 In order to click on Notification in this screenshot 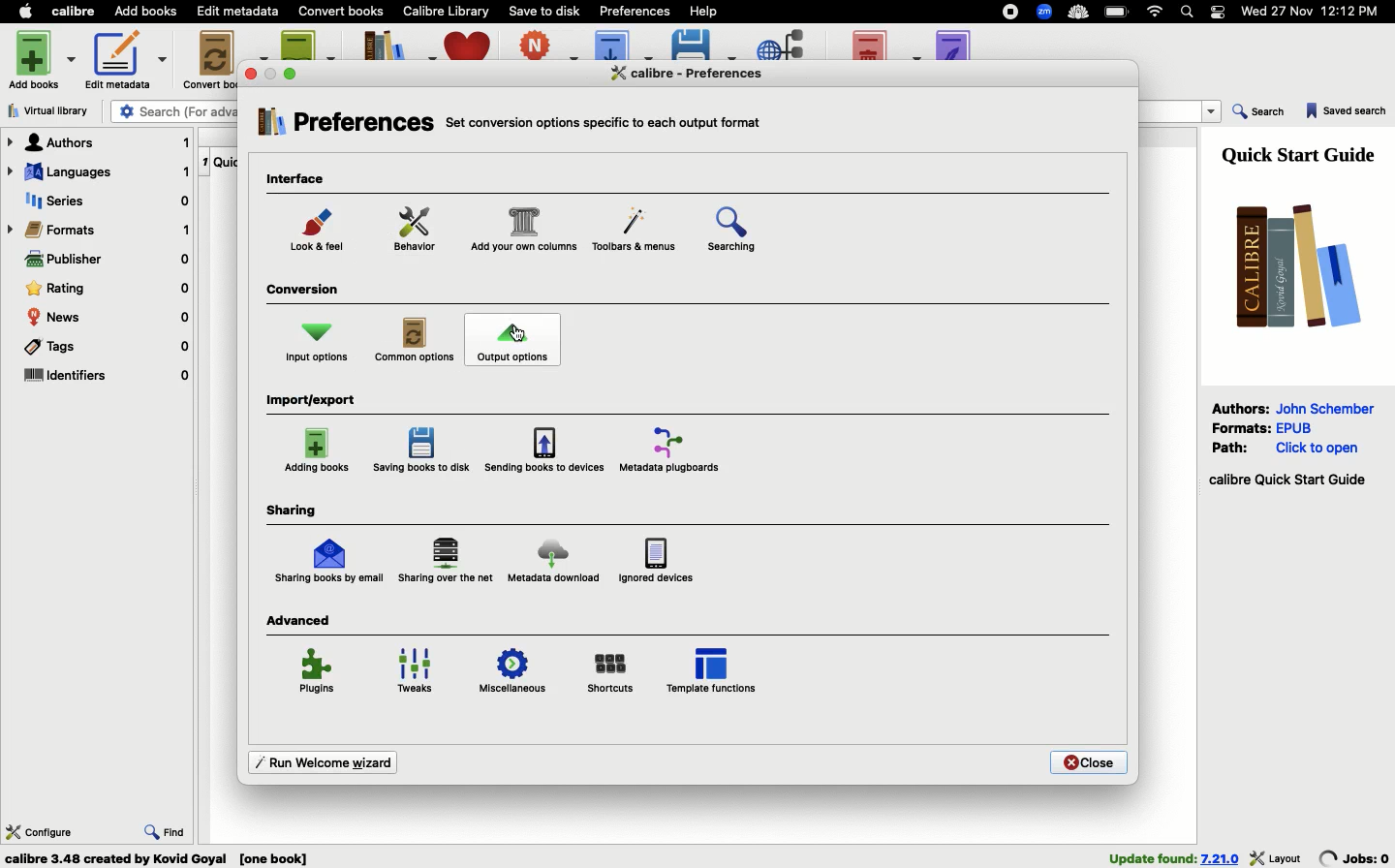, I will do `click(1219, 12)`.